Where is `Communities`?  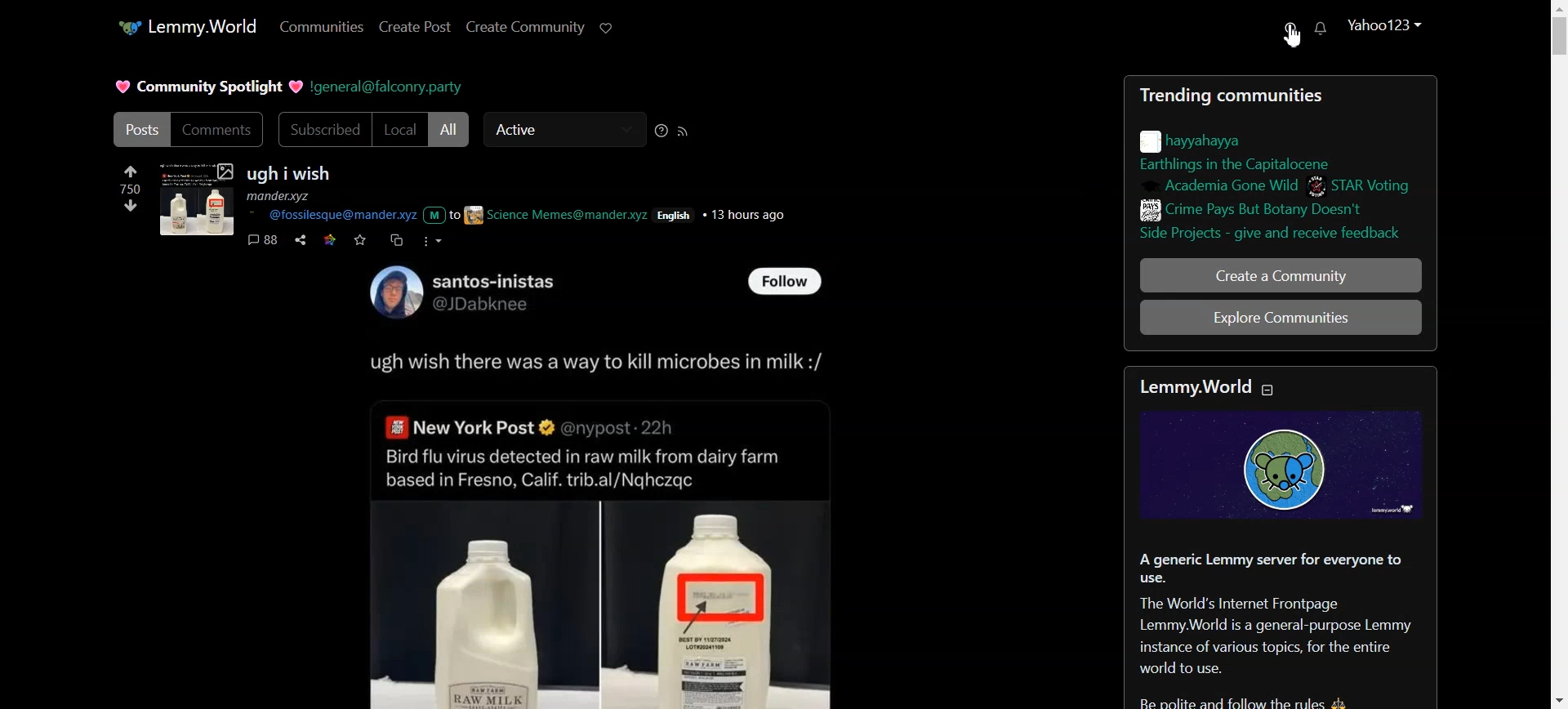
Communities is located at coordinates (321, 27).